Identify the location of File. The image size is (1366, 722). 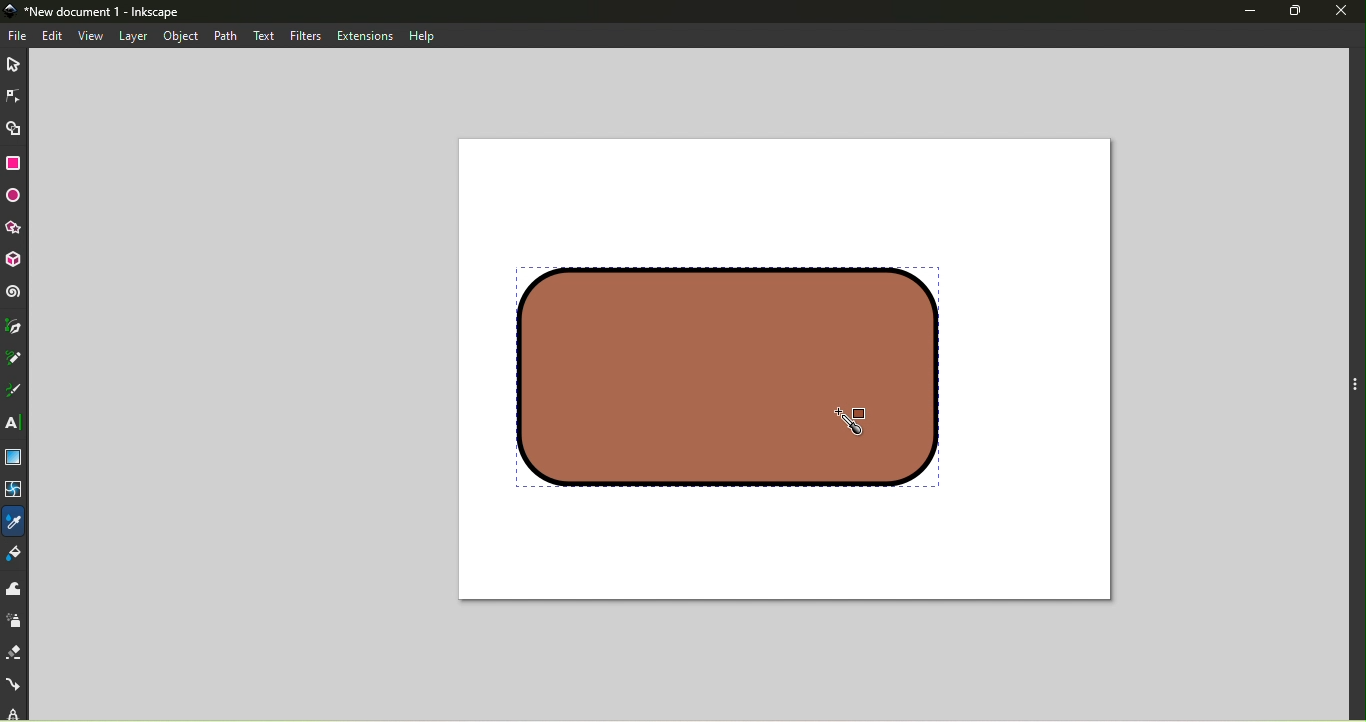
(19, 36).